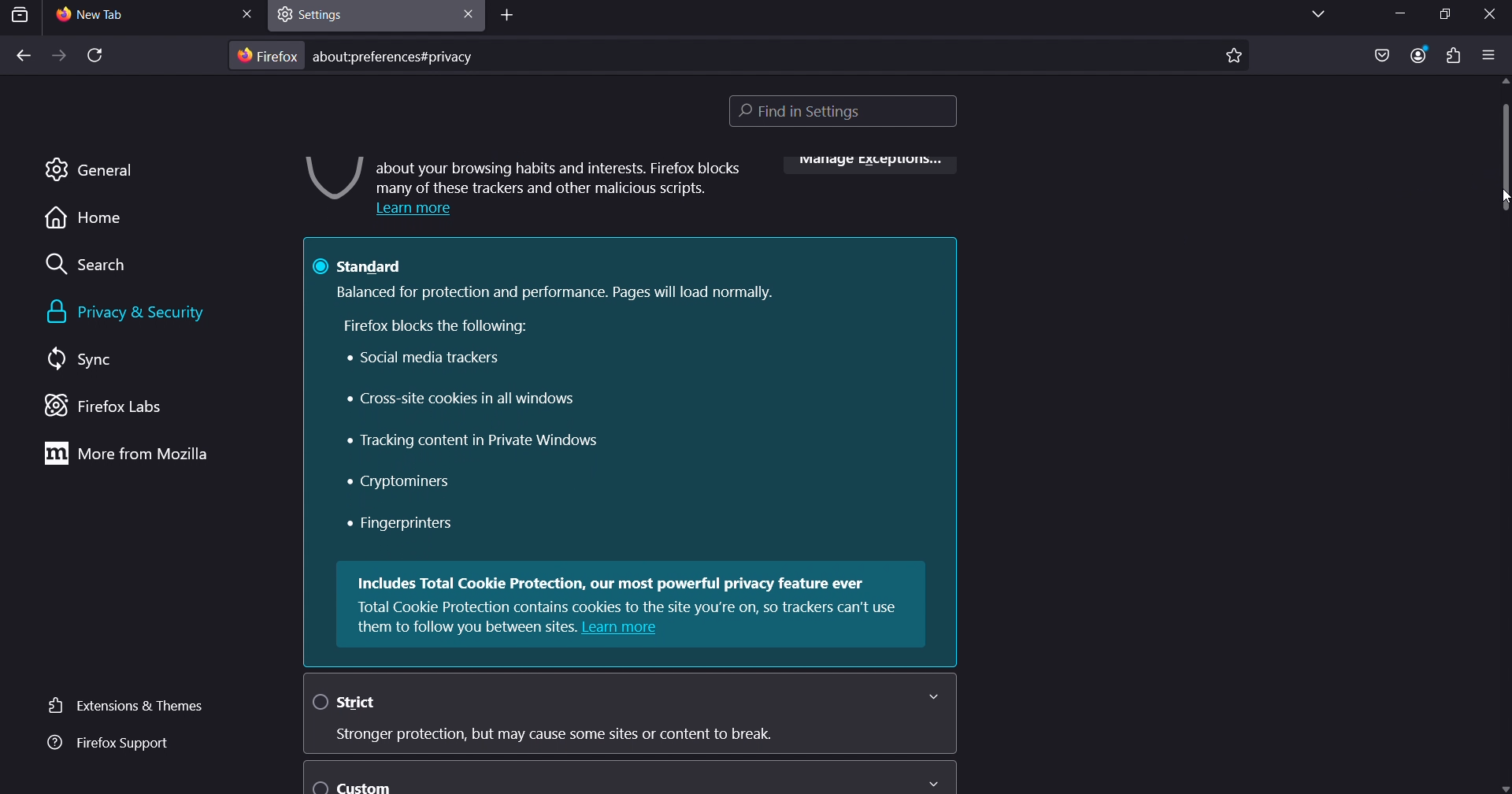 The height and width of the screenshot is (794, 1512). What do you see at coordinates (1499, 199) in the screenshot?
I see `cursor` at bounding box center [1499, 199].